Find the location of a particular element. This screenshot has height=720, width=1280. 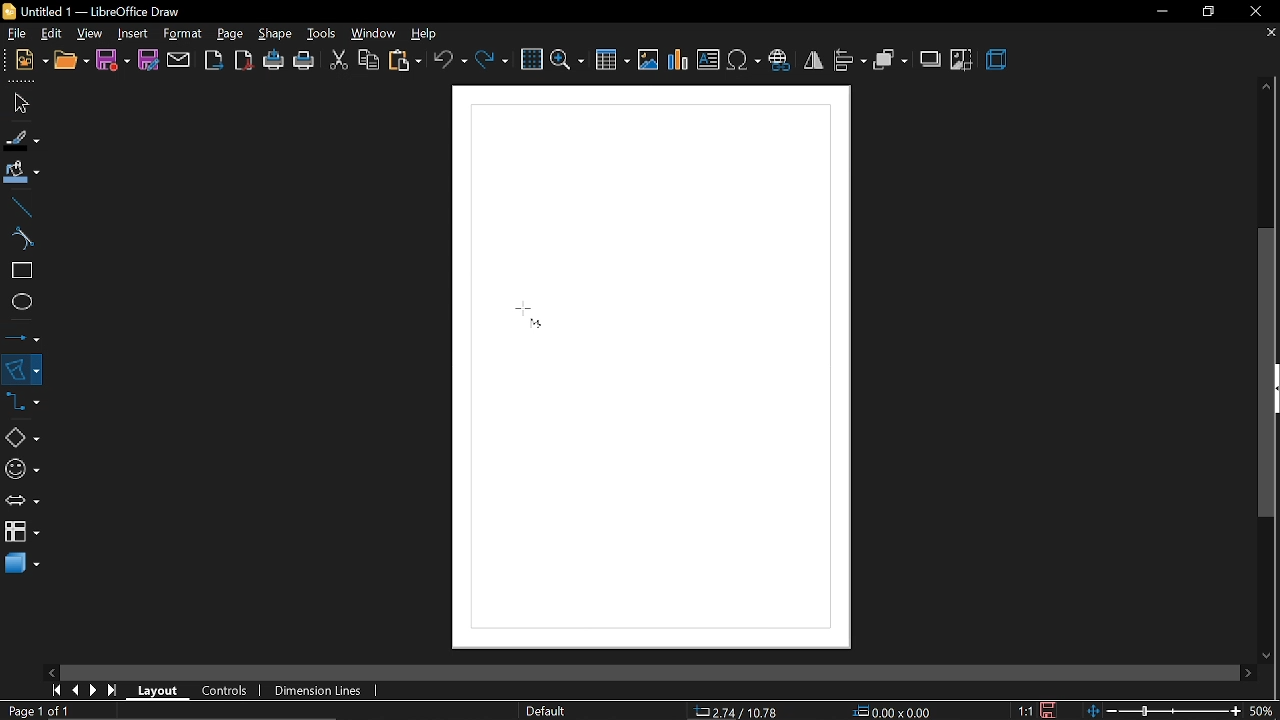

ellipse is located at coordinates (18, 304).